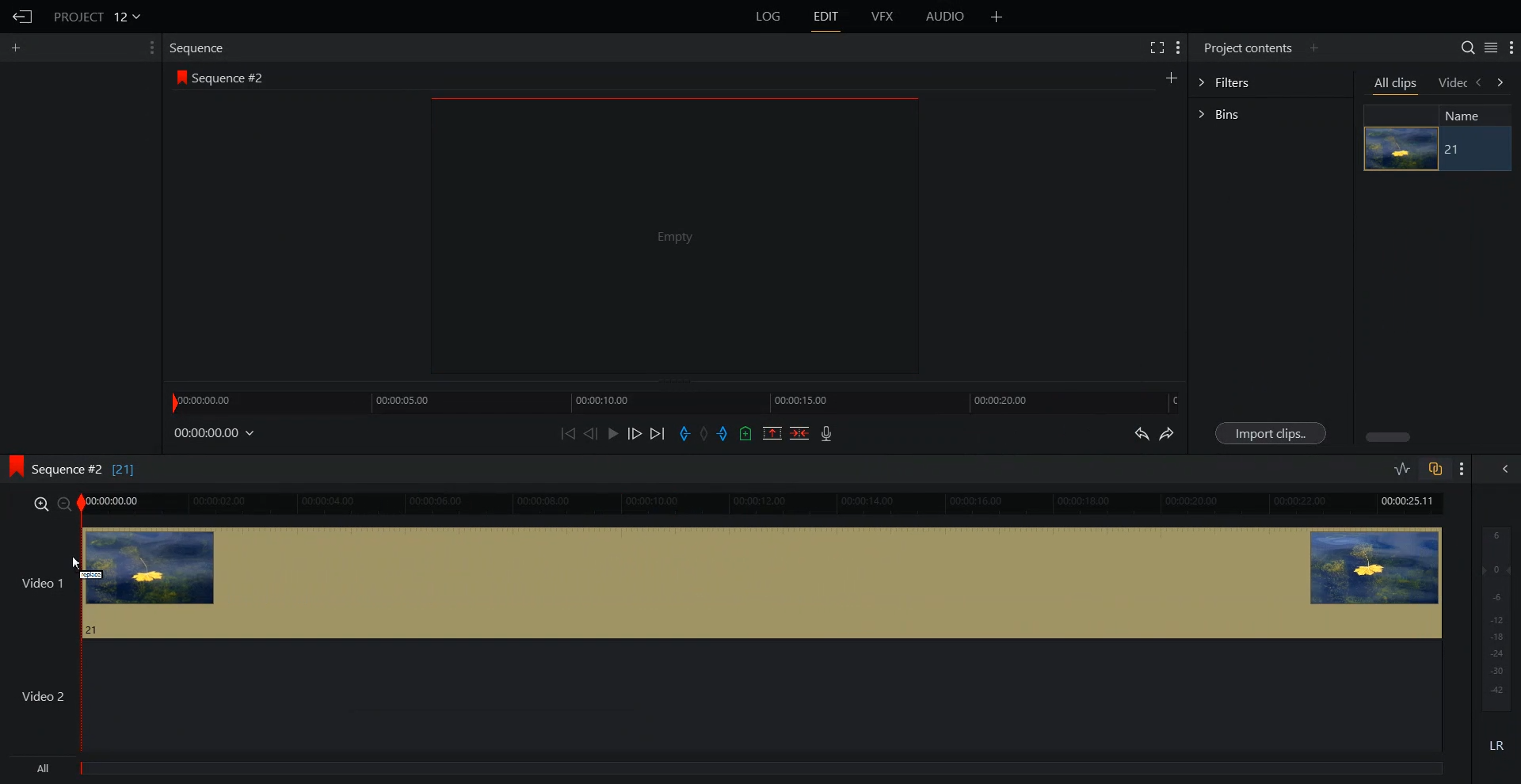 The height and width of the screenshot is (784, 1521). What do you see at coordinates (1496, 617) in the screenshot?
I see `Audio output in Db` at bounding box center [1496, 617].